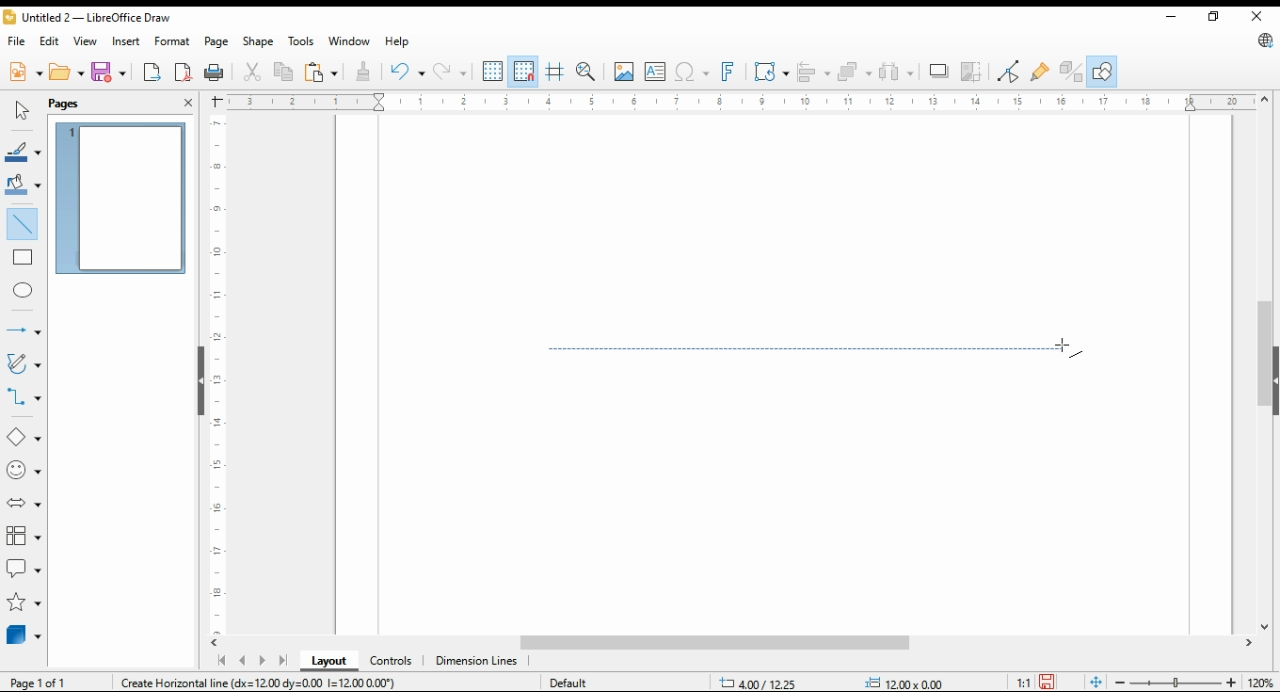 The height and width of the screenshot is (692, 1280). Describe the element at coordinates (300, 41) in the screenshot. I see `tools` at that location.